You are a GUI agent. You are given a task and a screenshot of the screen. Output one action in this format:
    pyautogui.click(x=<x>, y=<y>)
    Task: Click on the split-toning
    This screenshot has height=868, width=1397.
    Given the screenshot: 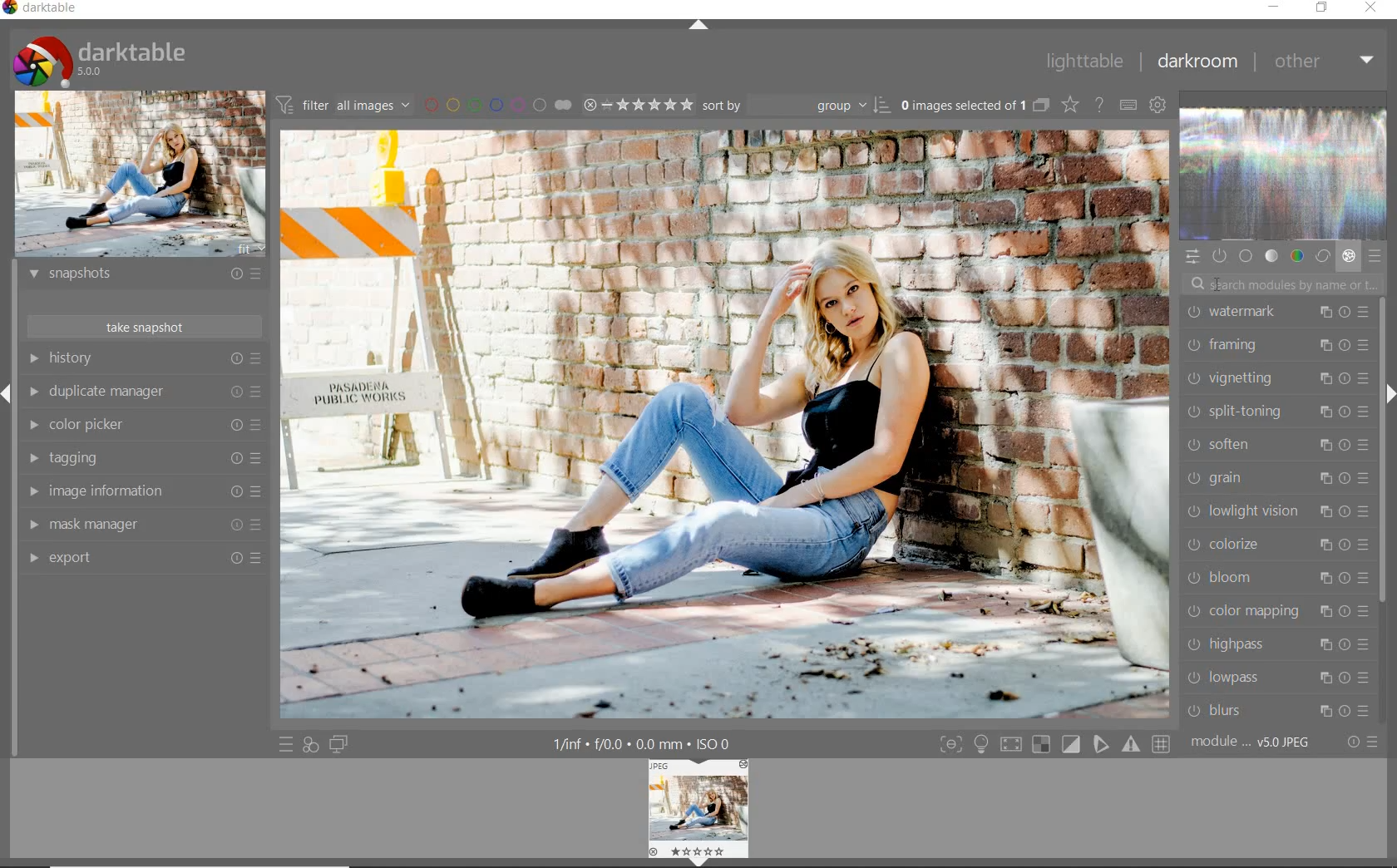 What is the action you would take?
    pyautogui.click(x=1277, y=412)
    